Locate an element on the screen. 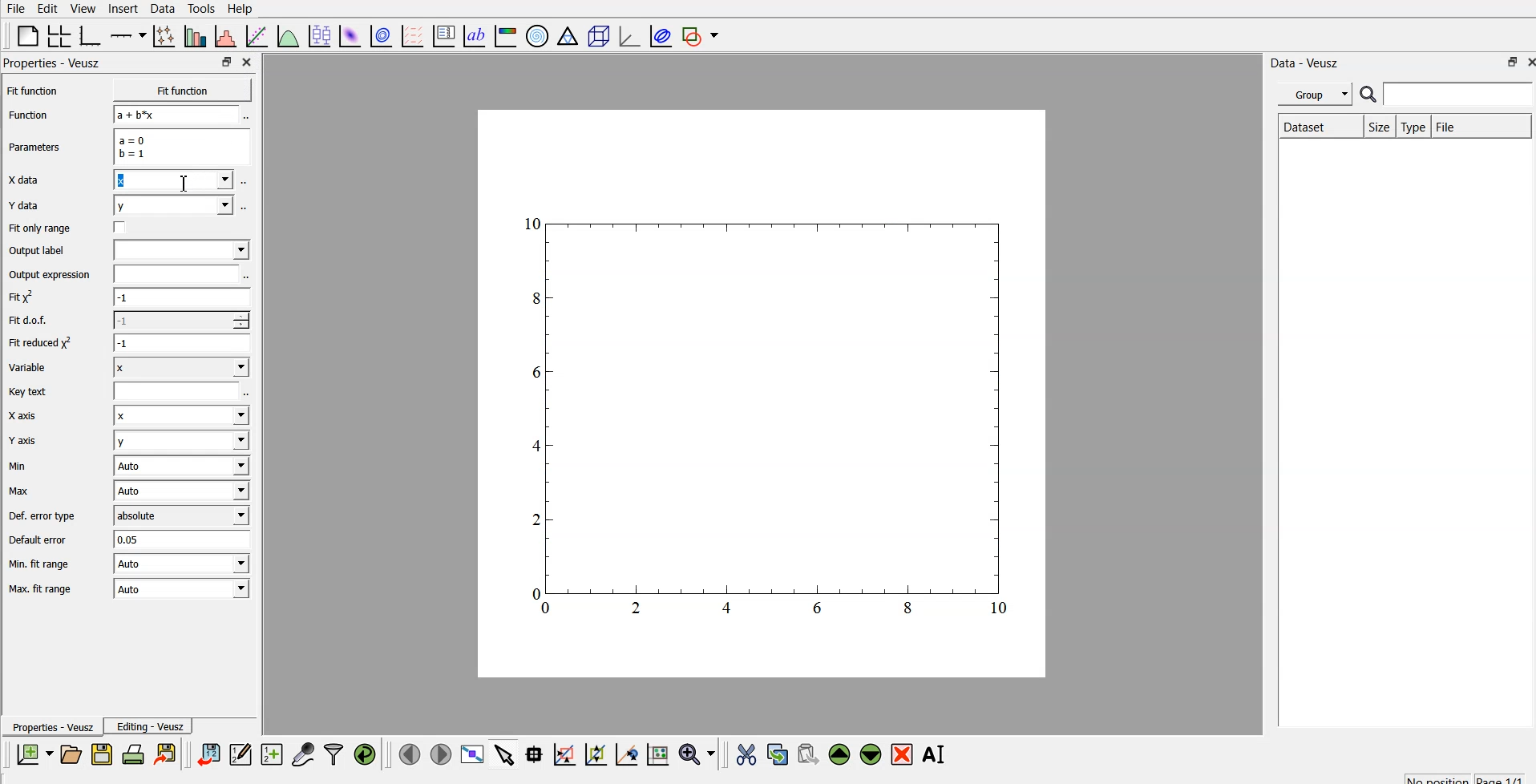 Image resolution: width=1536 pixels, height=784 pixels. Editing - Veusz is located at coordinates (155, 725).